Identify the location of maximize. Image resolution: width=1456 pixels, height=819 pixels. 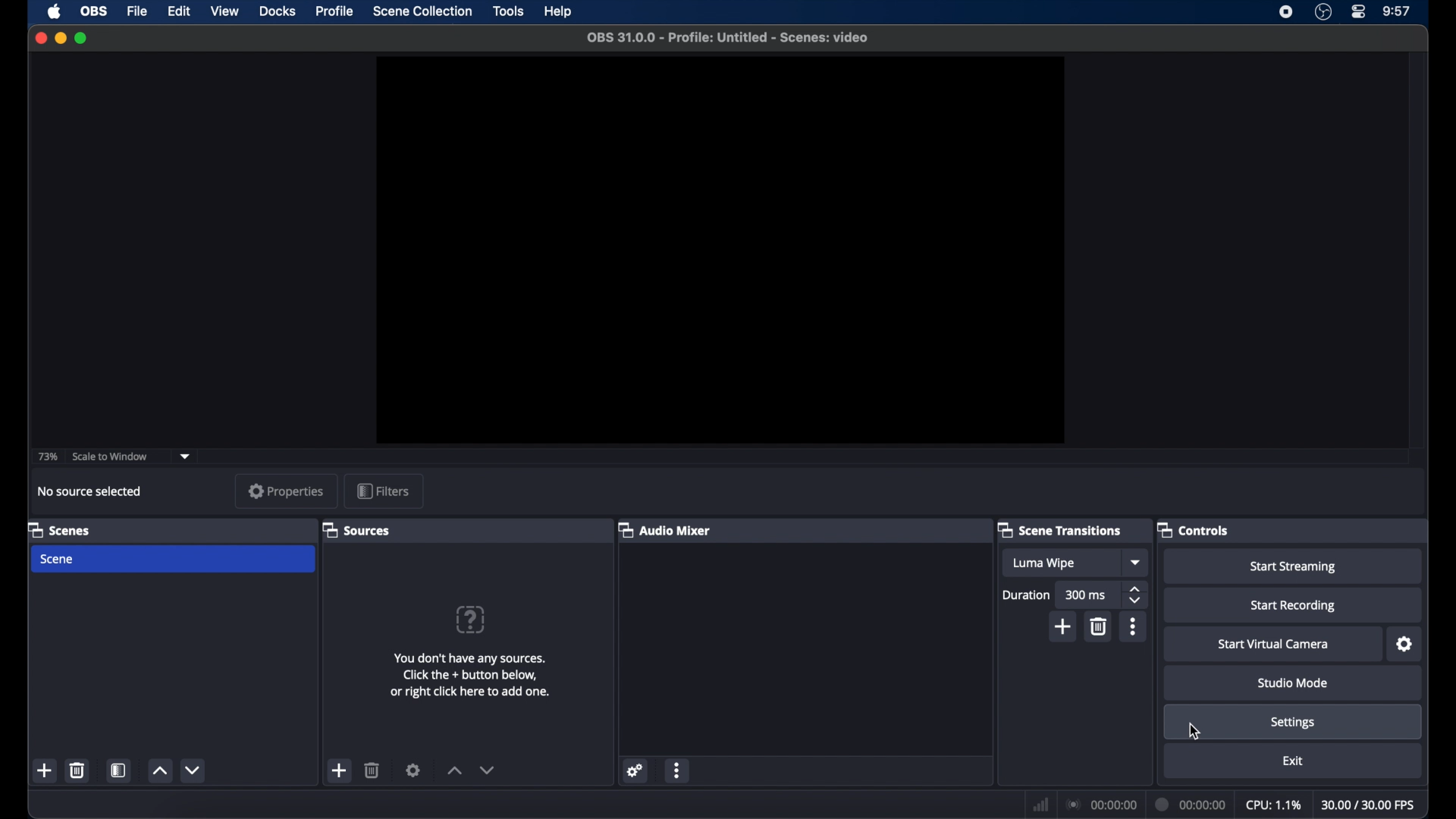
(60, 38).